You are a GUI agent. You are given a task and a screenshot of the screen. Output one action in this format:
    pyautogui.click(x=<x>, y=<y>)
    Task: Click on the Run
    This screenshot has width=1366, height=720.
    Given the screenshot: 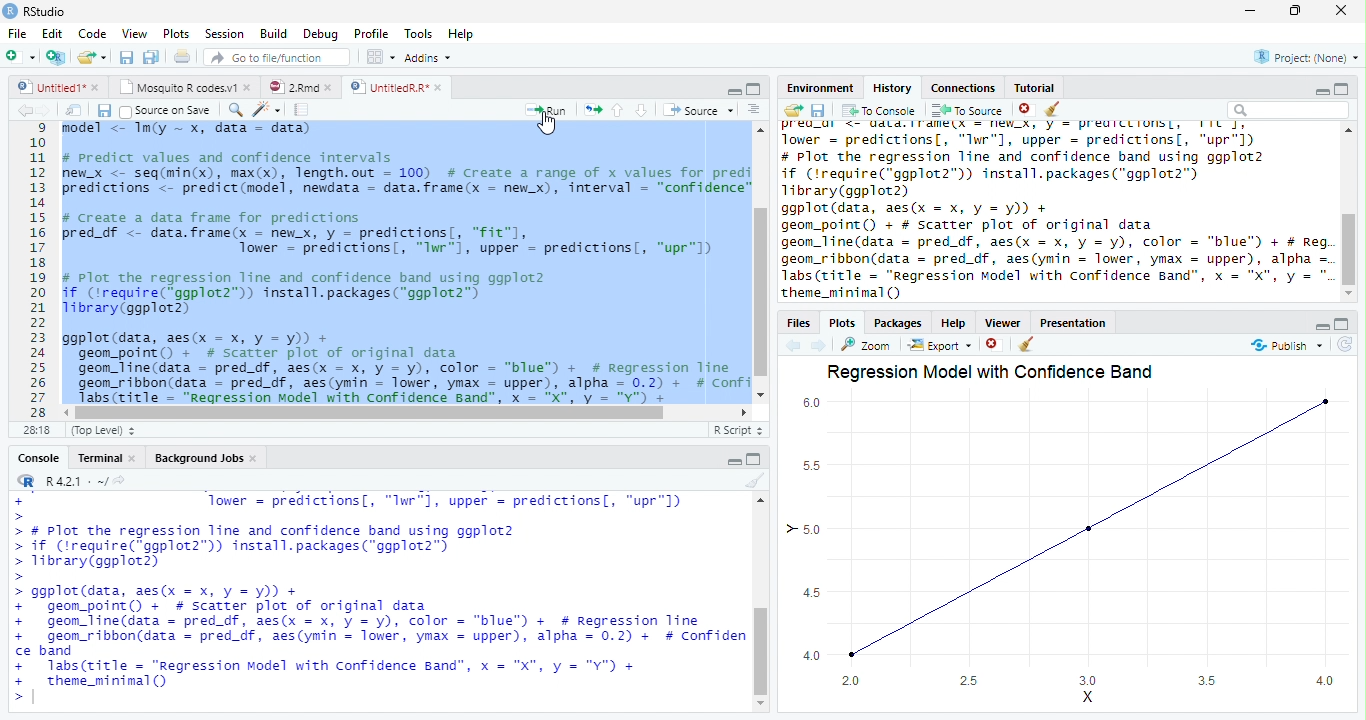 What is the action you would take?
    pyautogui.click(x=544, y=111)
    